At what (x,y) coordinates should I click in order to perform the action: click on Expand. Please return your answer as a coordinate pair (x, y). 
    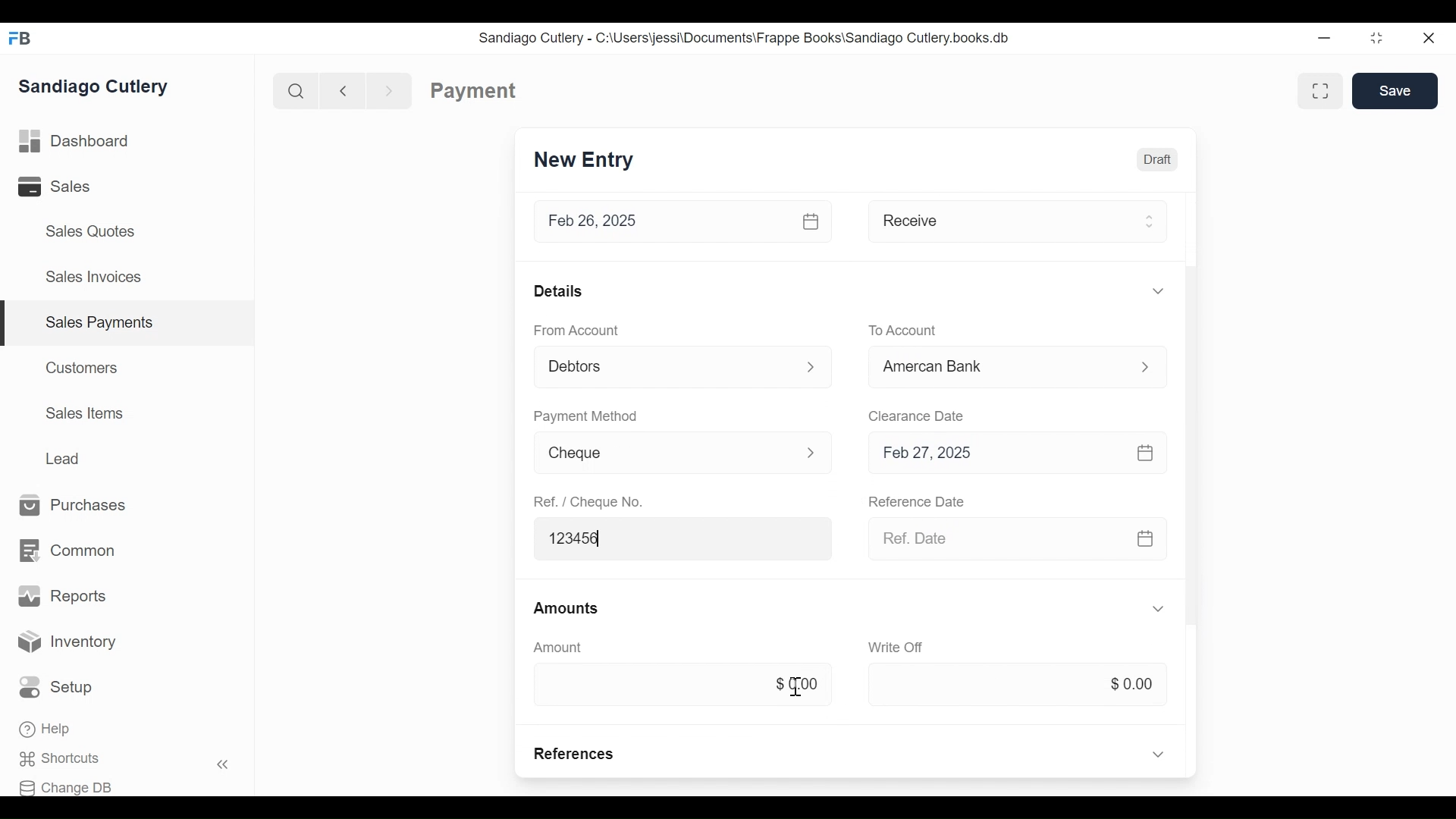
    Looking at the image, I should click on (1159, 609).